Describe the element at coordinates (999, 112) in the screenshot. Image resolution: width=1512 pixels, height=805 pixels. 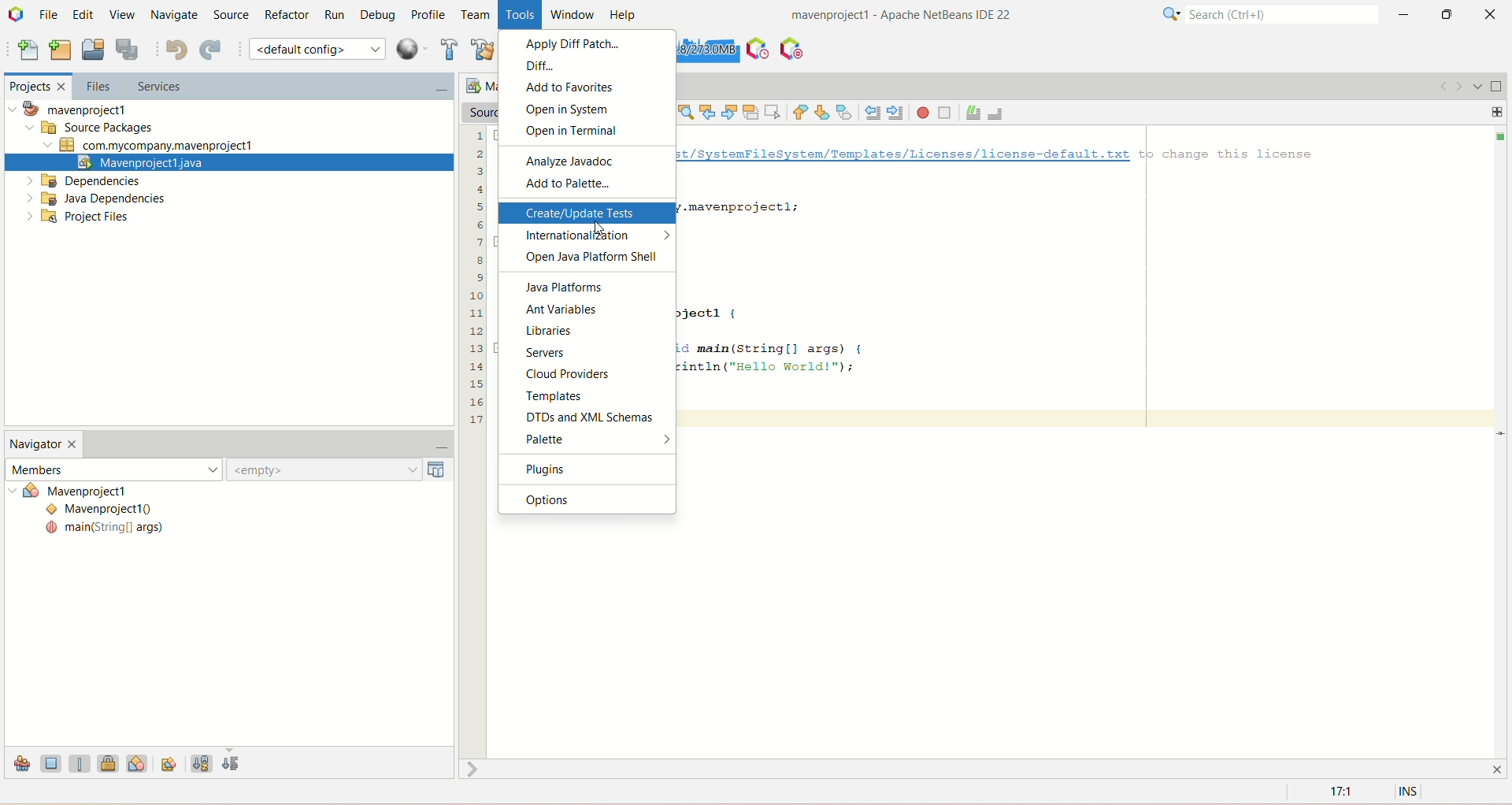
I see `uncomment` at that location.